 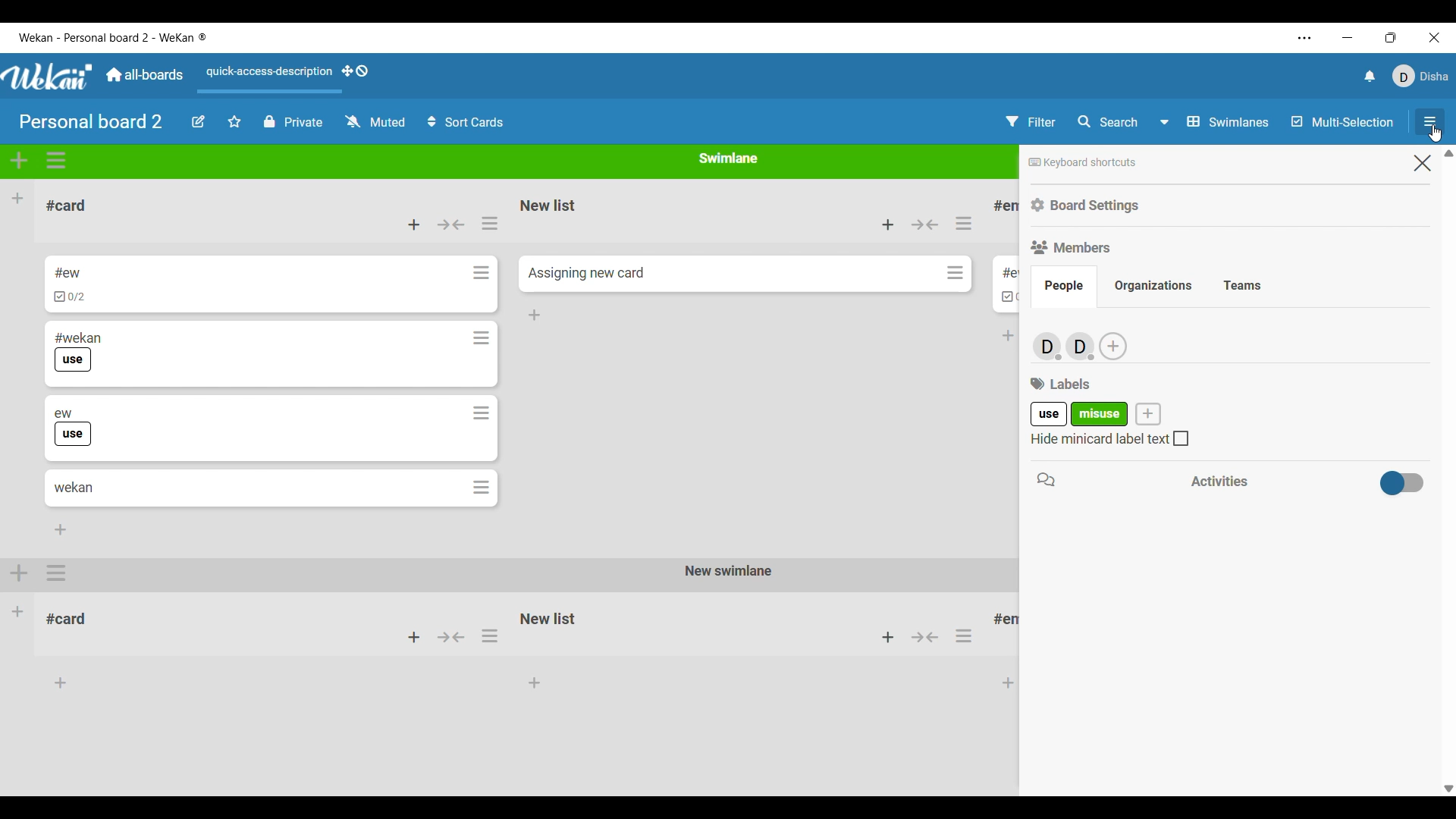 I want to click on Swimlane title, so click(x=728, y=158).